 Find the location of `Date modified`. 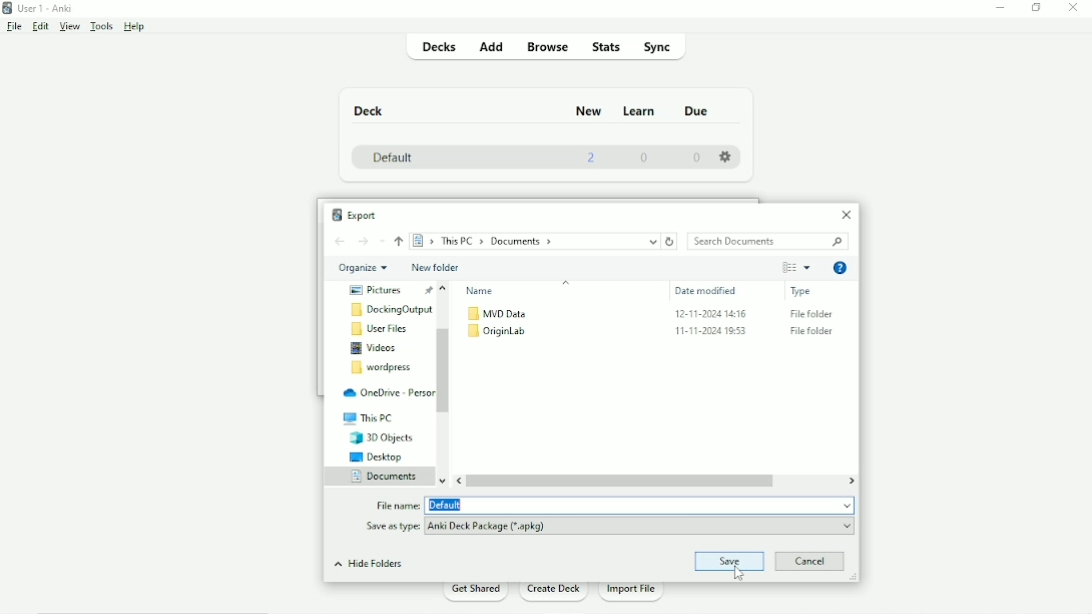

Date modified is located at coordinates (704, 290).